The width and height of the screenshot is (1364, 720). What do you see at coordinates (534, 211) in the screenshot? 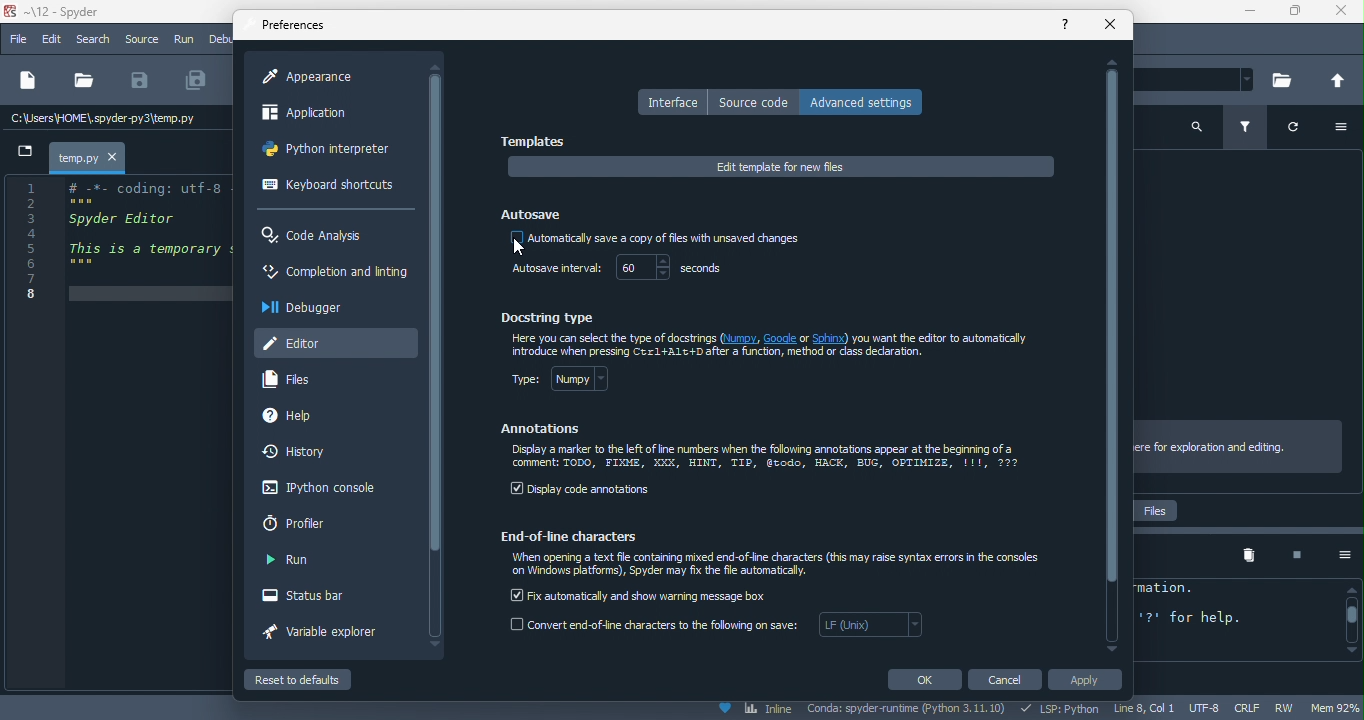
I see `autosave` at bounding box center [534, 211].